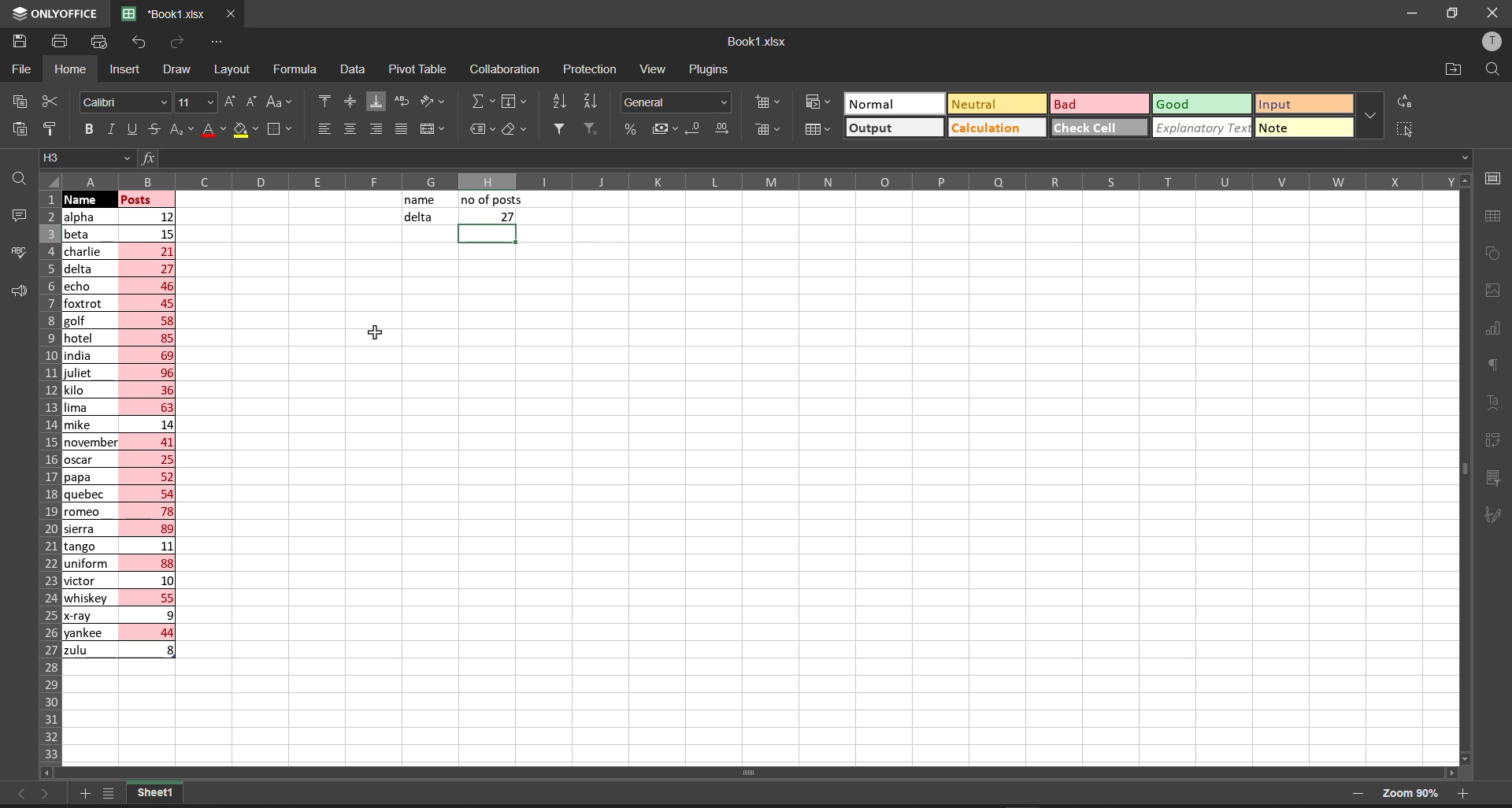 The height and width of the screenshot is (808, 1512). Describe the element at coordinates (594, 102) in the screenshot. I see `sort descending` at that location.